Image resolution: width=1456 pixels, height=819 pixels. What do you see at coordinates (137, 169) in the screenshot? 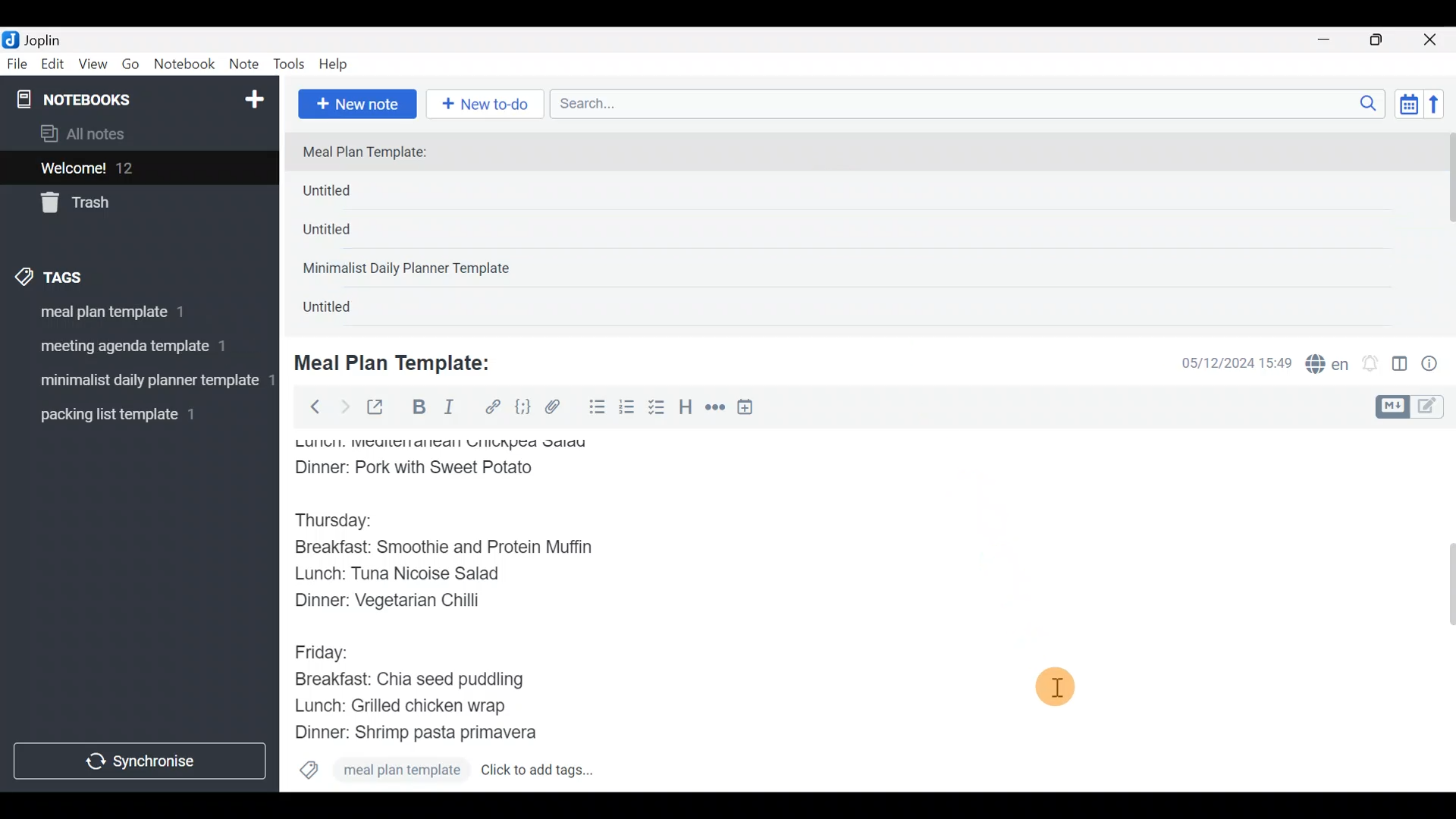
I see `Welcome!` at bounding box center [137, 169].